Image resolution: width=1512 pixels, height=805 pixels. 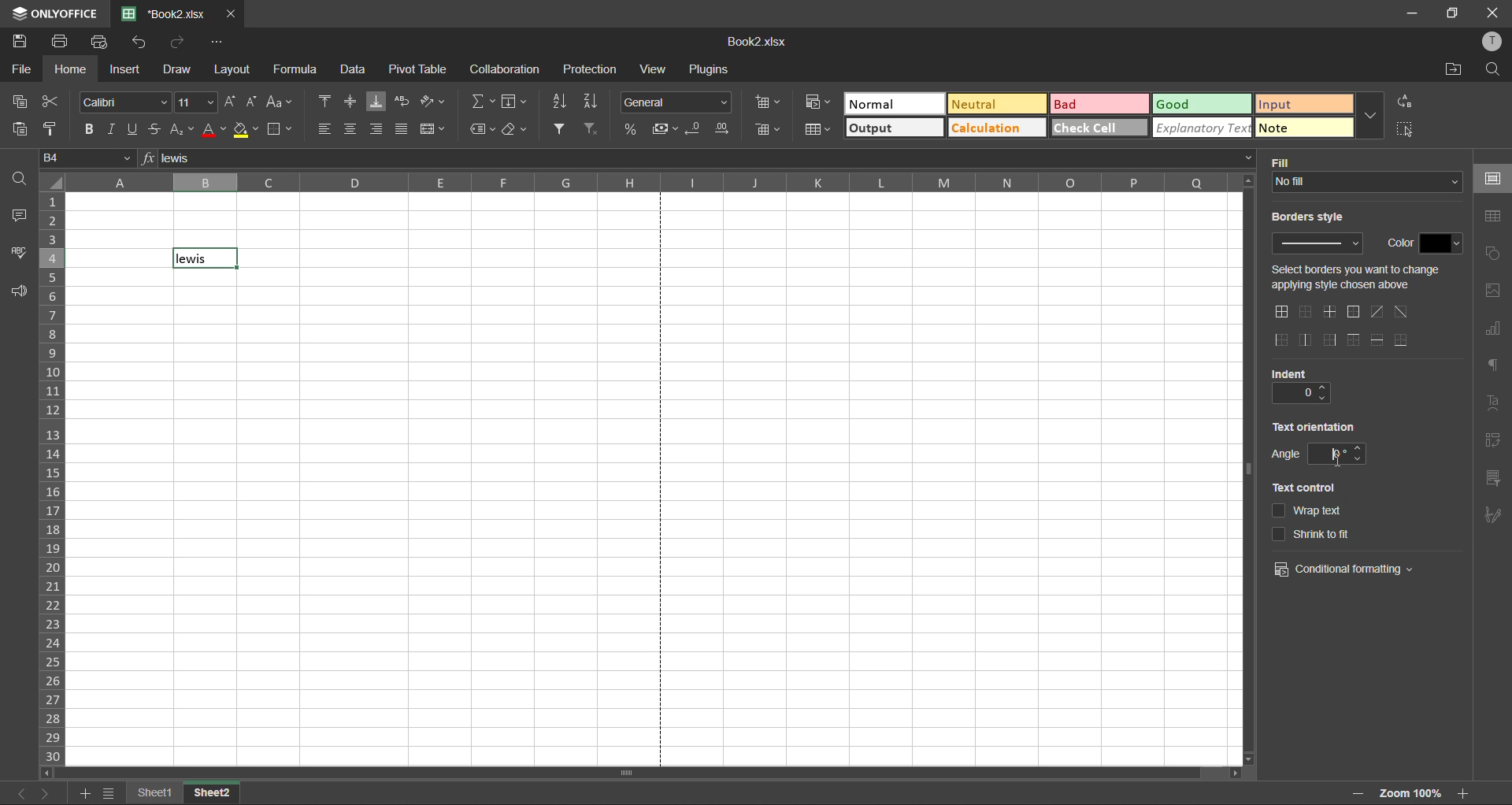 What do you see at coordinates (19, 291) in the screenshot?
I see `feedback` at bounding box center [19, 291].